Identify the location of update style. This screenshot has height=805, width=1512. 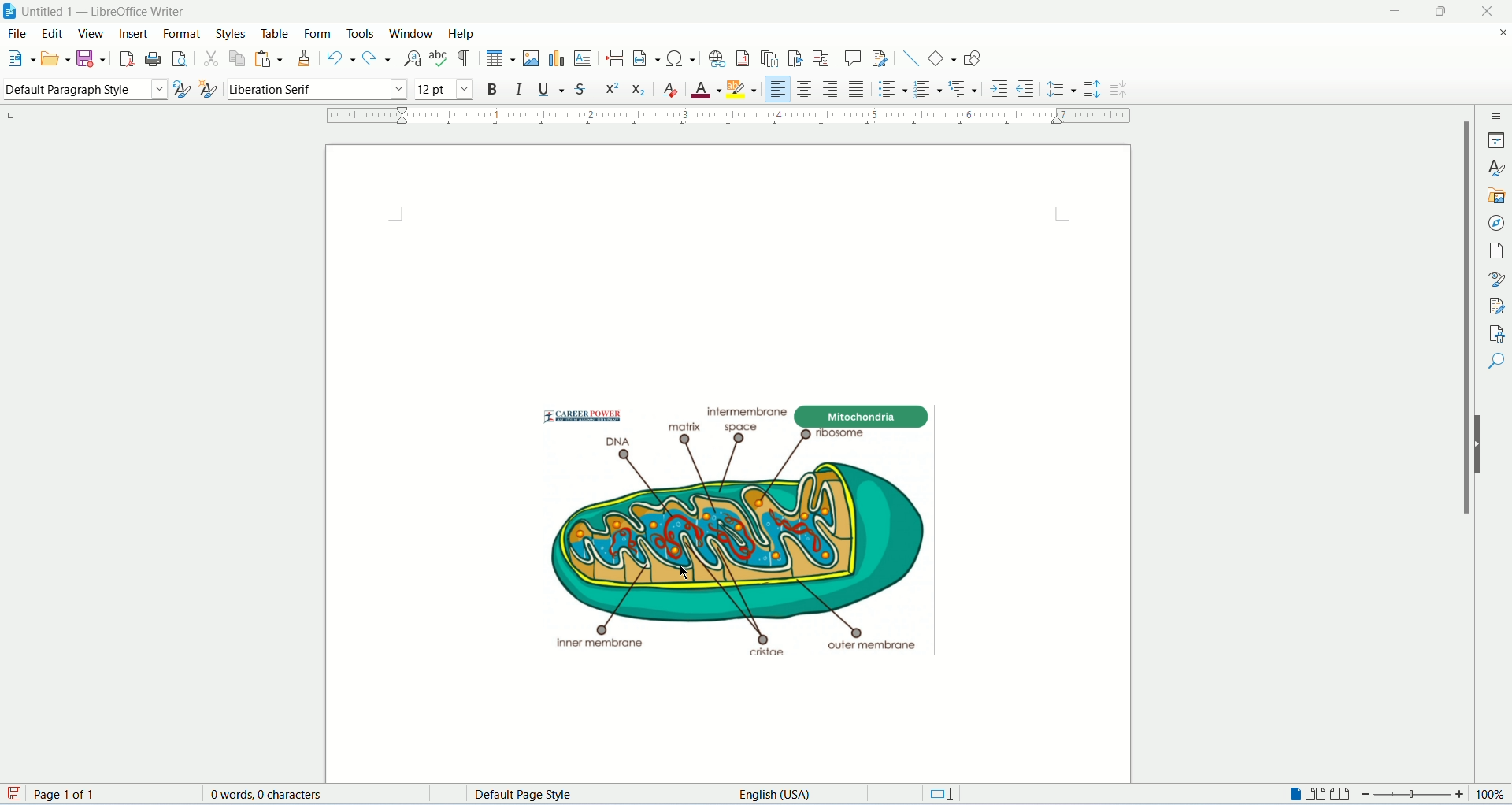
(184, 89).